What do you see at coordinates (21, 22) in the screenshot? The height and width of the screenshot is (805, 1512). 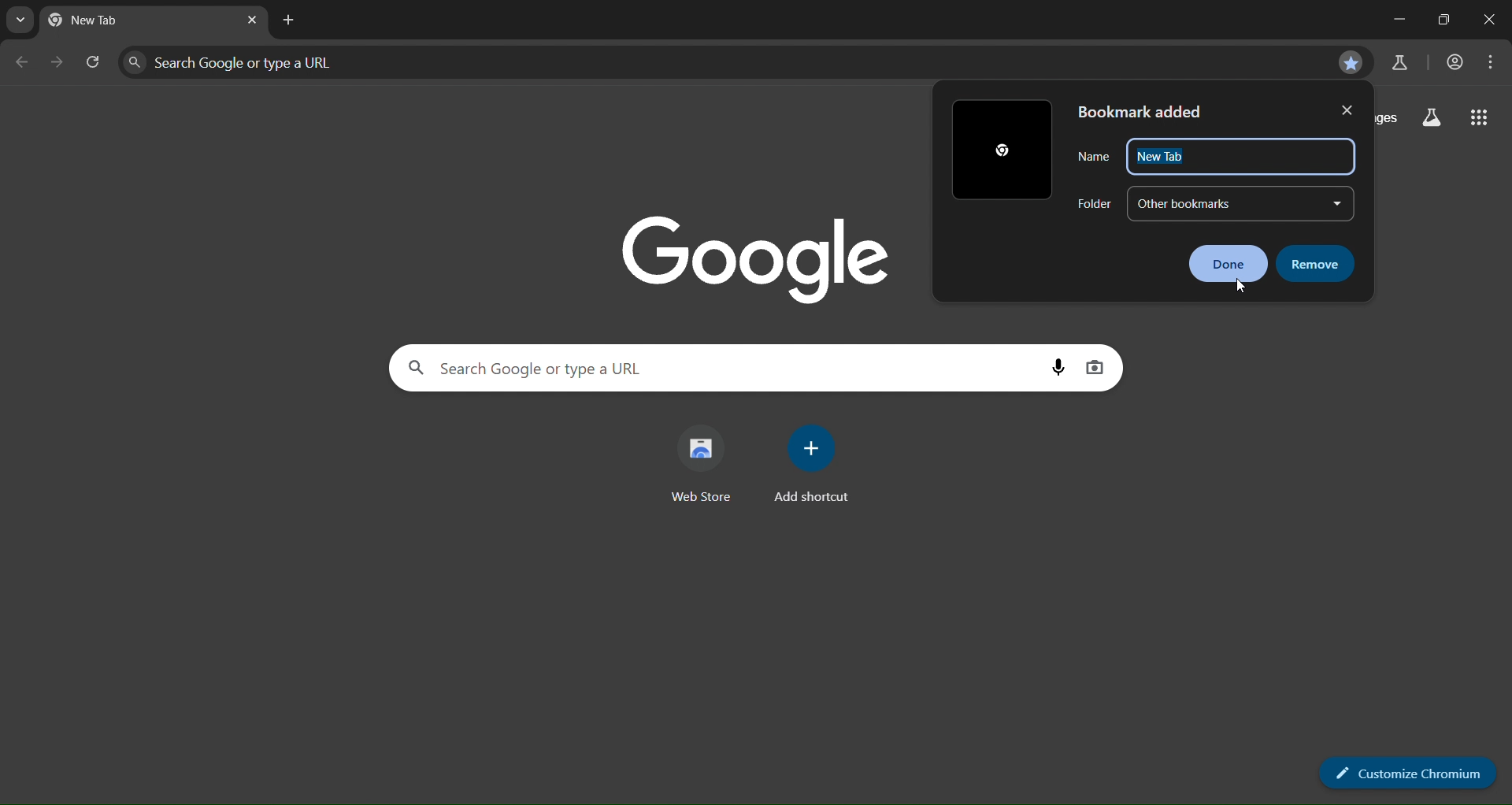 I see `seaarch tabs` at bounding box center [21, 22].